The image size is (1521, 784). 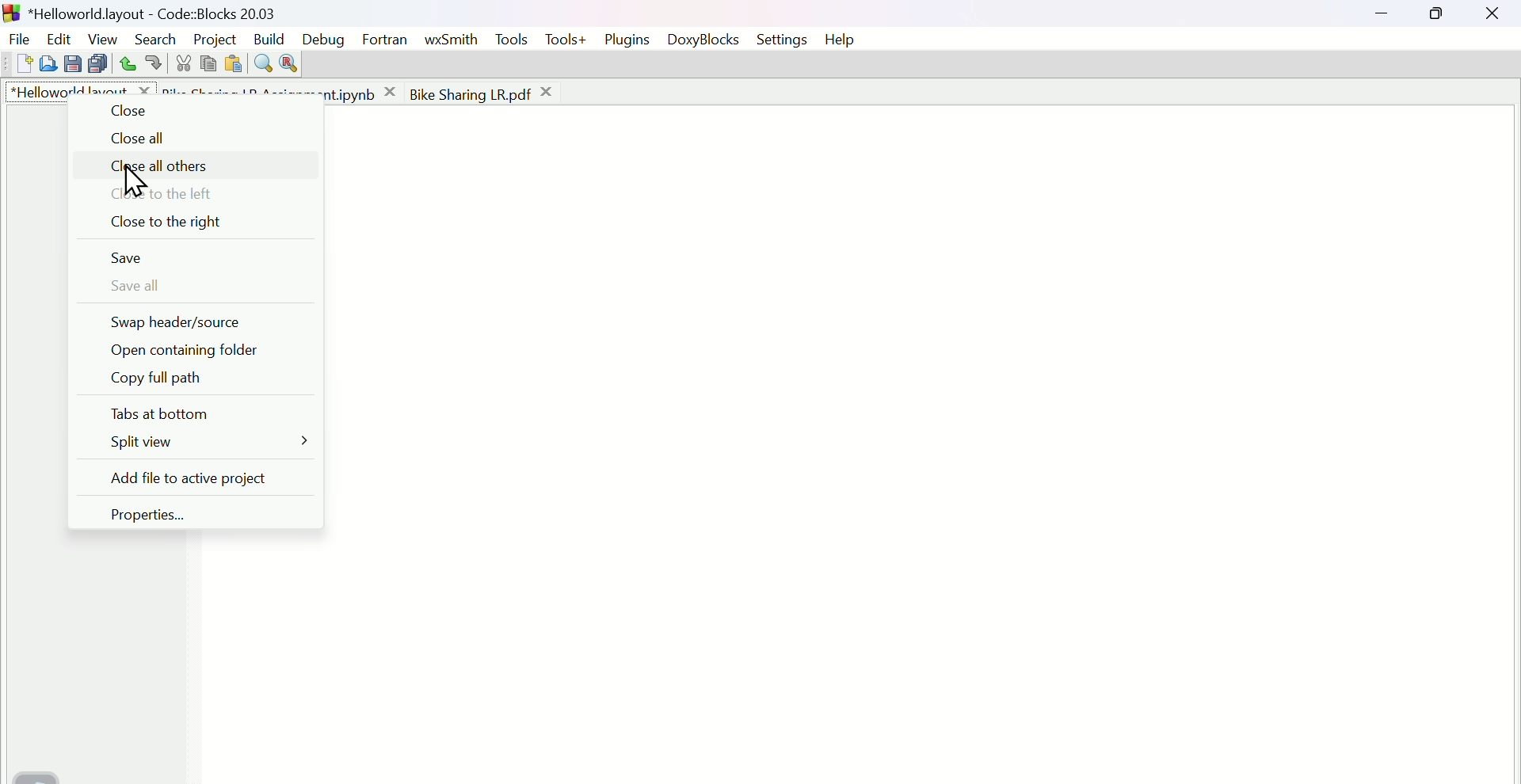 I want to click on Project, so click(x=213, y=36).